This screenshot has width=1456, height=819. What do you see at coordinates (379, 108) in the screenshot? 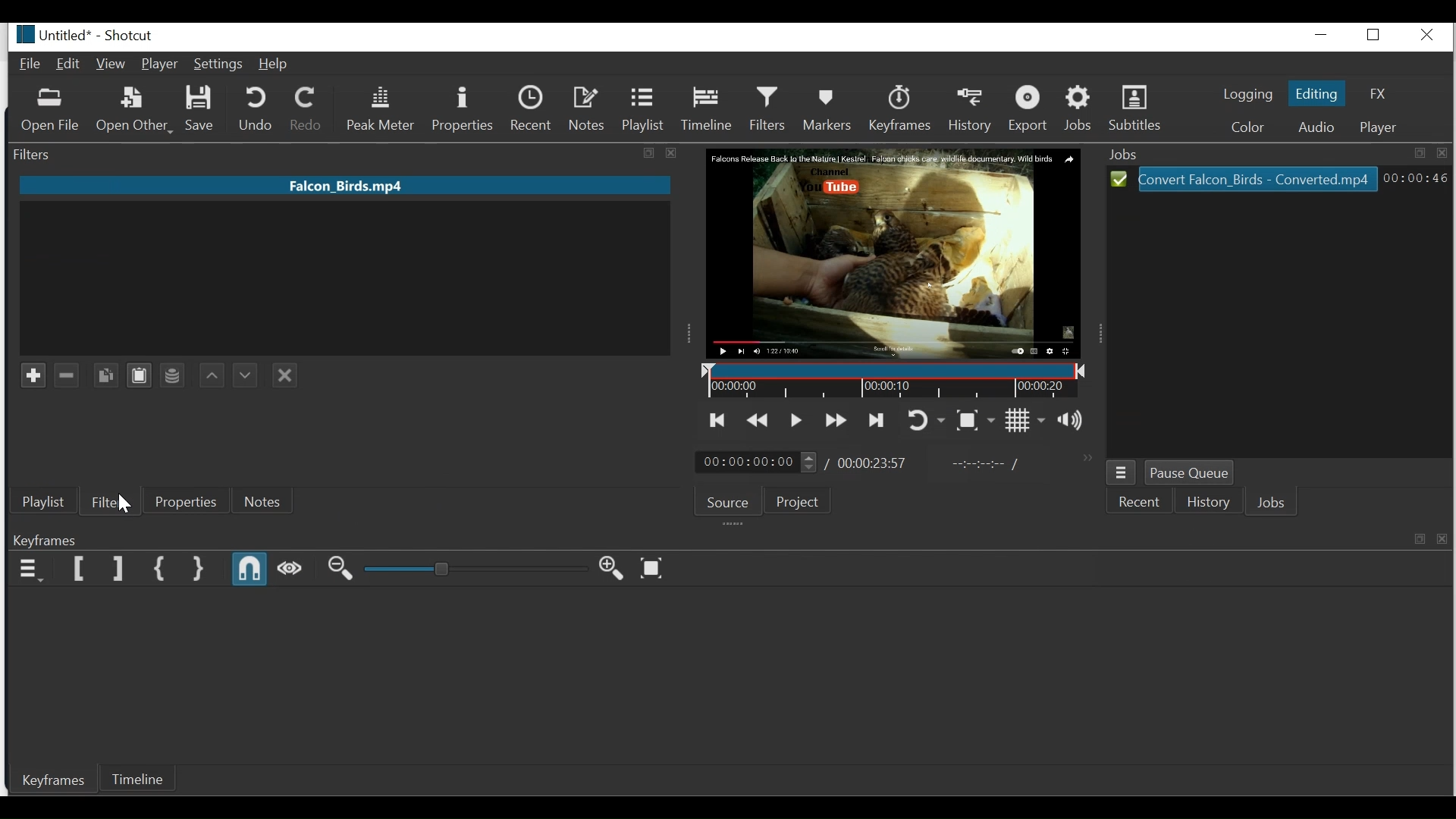
I see `Peak Meter` at bounding box center [379, 108].